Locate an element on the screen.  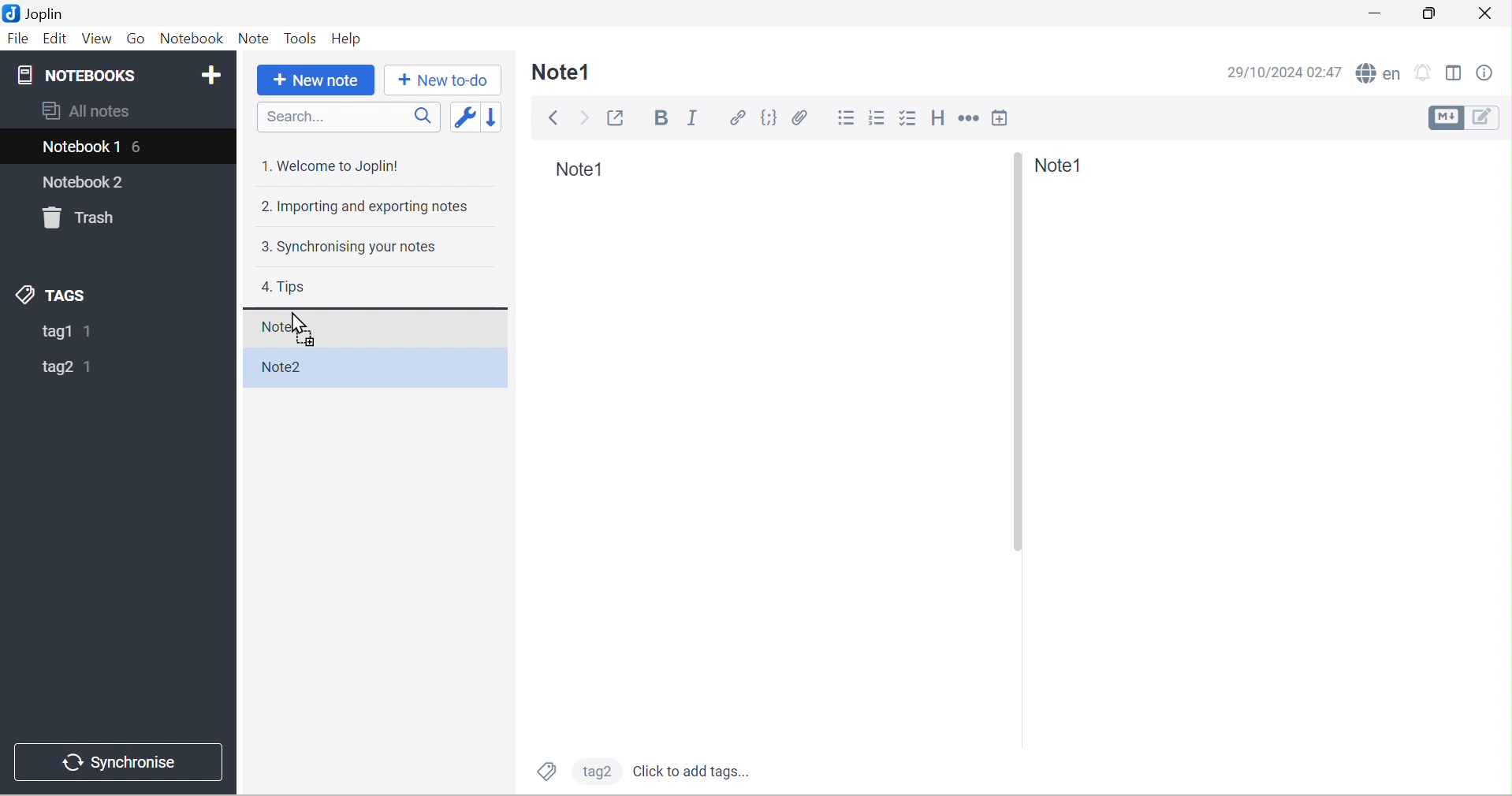
Toggle external editing is located at coordinates (616, 117).